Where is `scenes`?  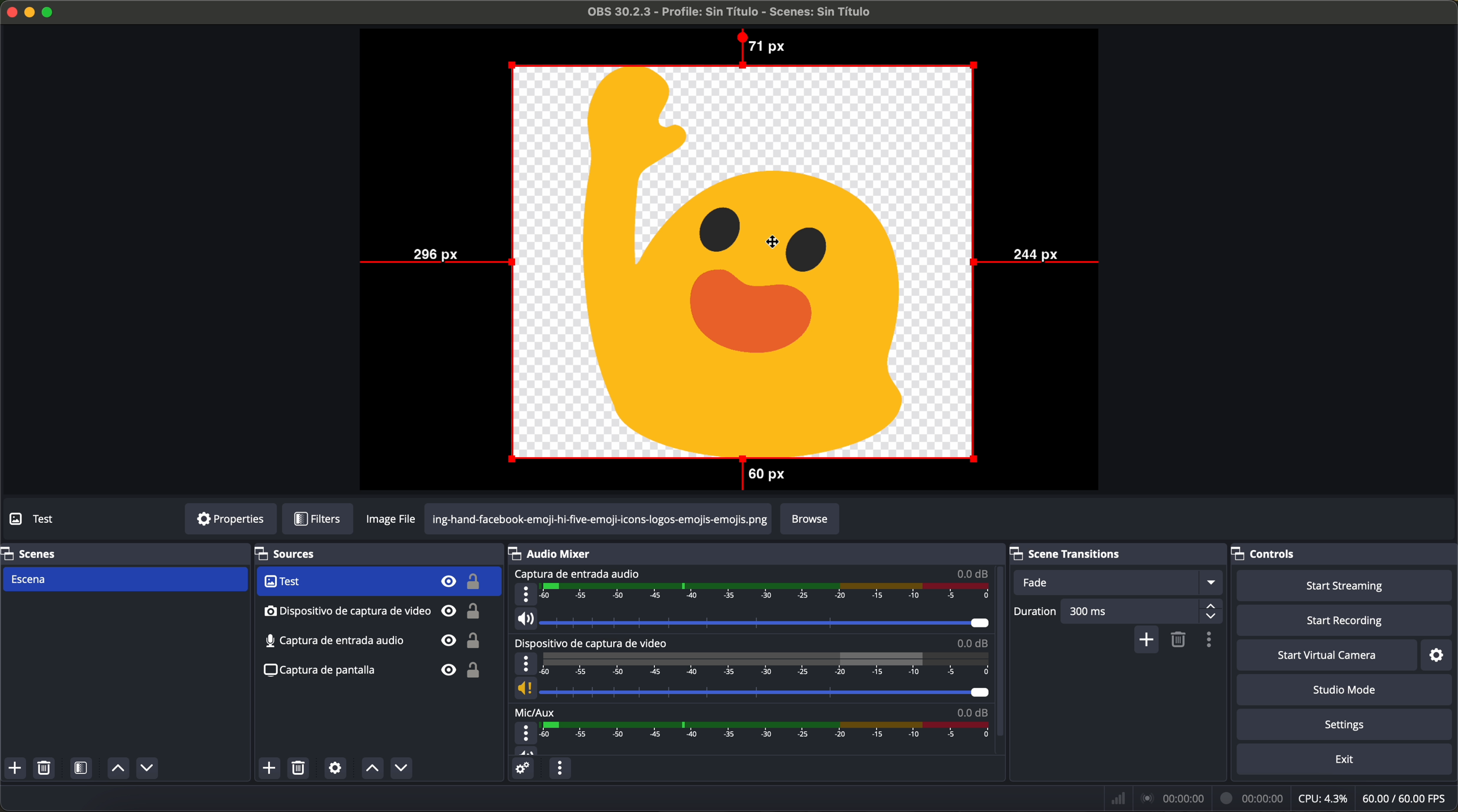 scenes is located at coordinates (31, 553).